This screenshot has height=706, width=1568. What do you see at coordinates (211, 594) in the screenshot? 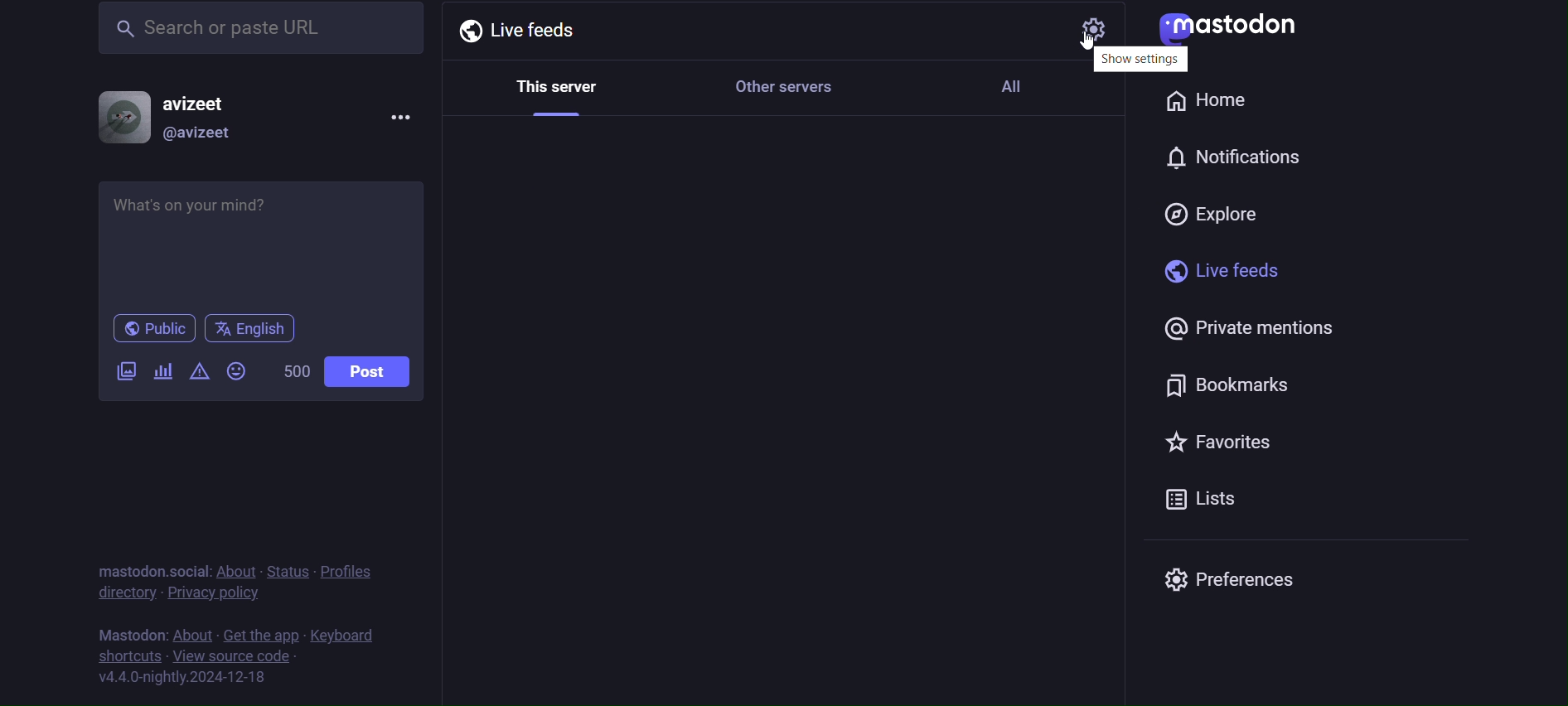
I see `privacy policy` at bounding box center [211, 594].